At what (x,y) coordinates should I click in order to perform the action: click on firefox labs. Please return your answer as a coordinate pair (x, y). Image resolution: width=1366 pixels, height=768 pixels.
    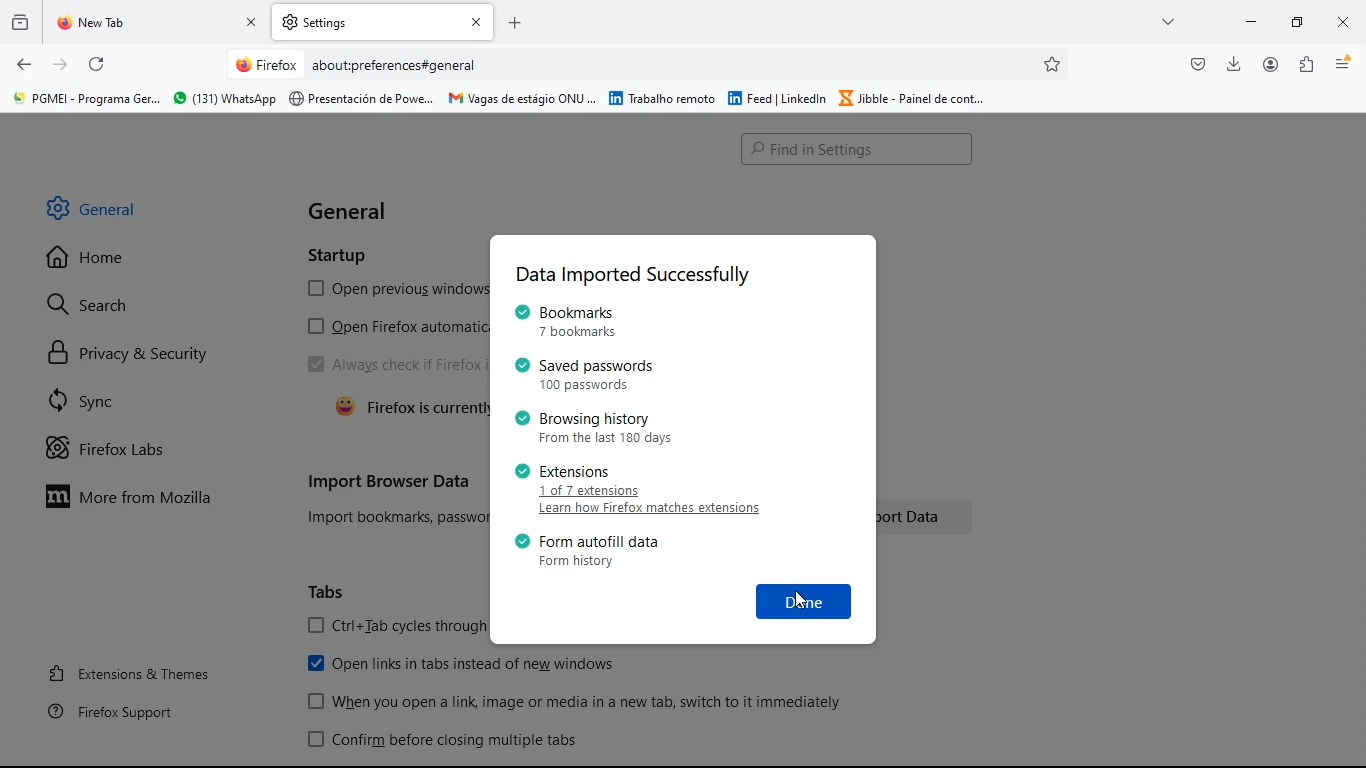
    Looking at the image, I should click on (125, 448).